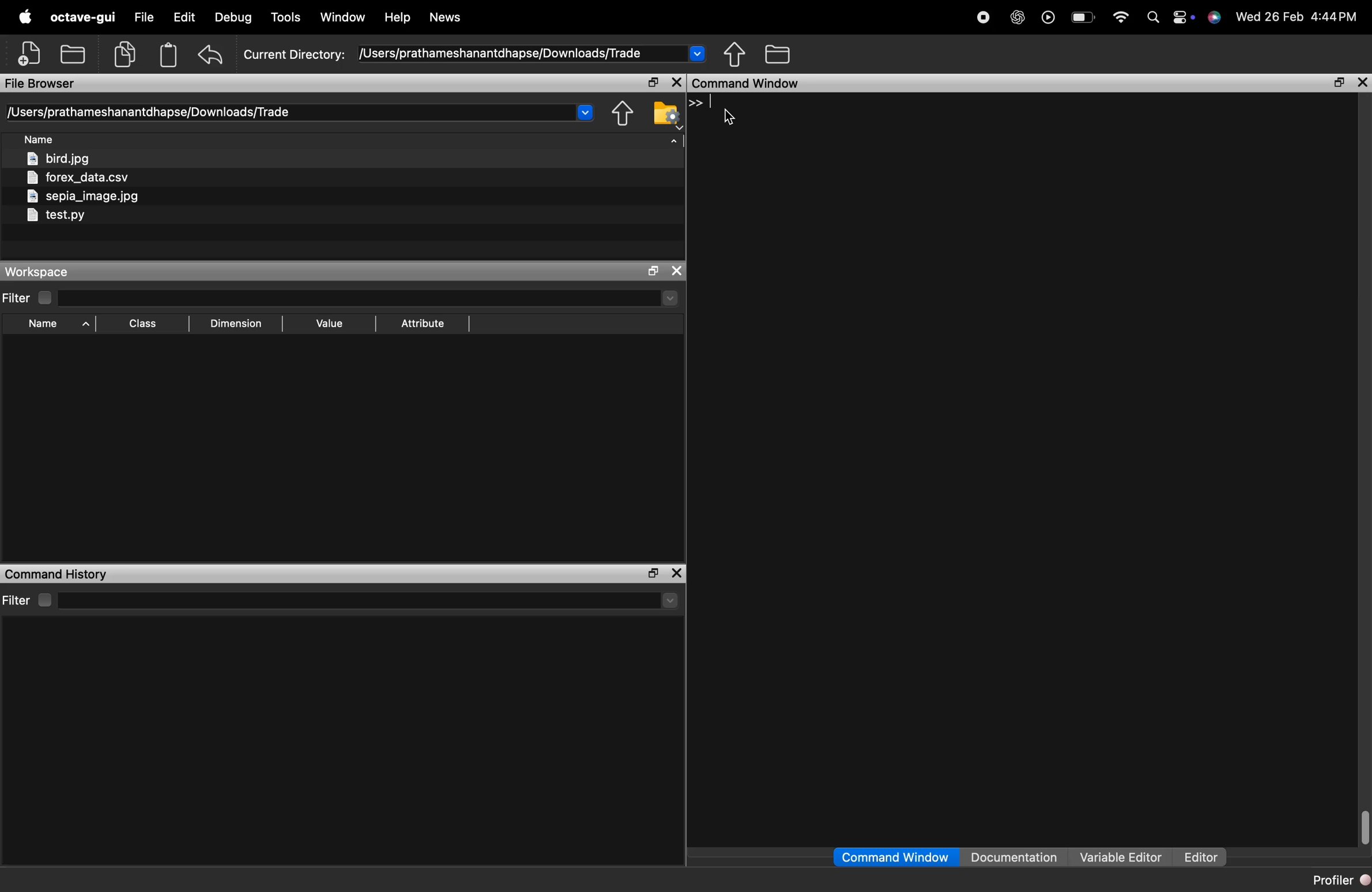 Image resolution: width=1372 pixels, height=892 pixels. What do you see at coordinates (125, 54) in the screenshot?
I see `copy` at bounding box center [125, 54].